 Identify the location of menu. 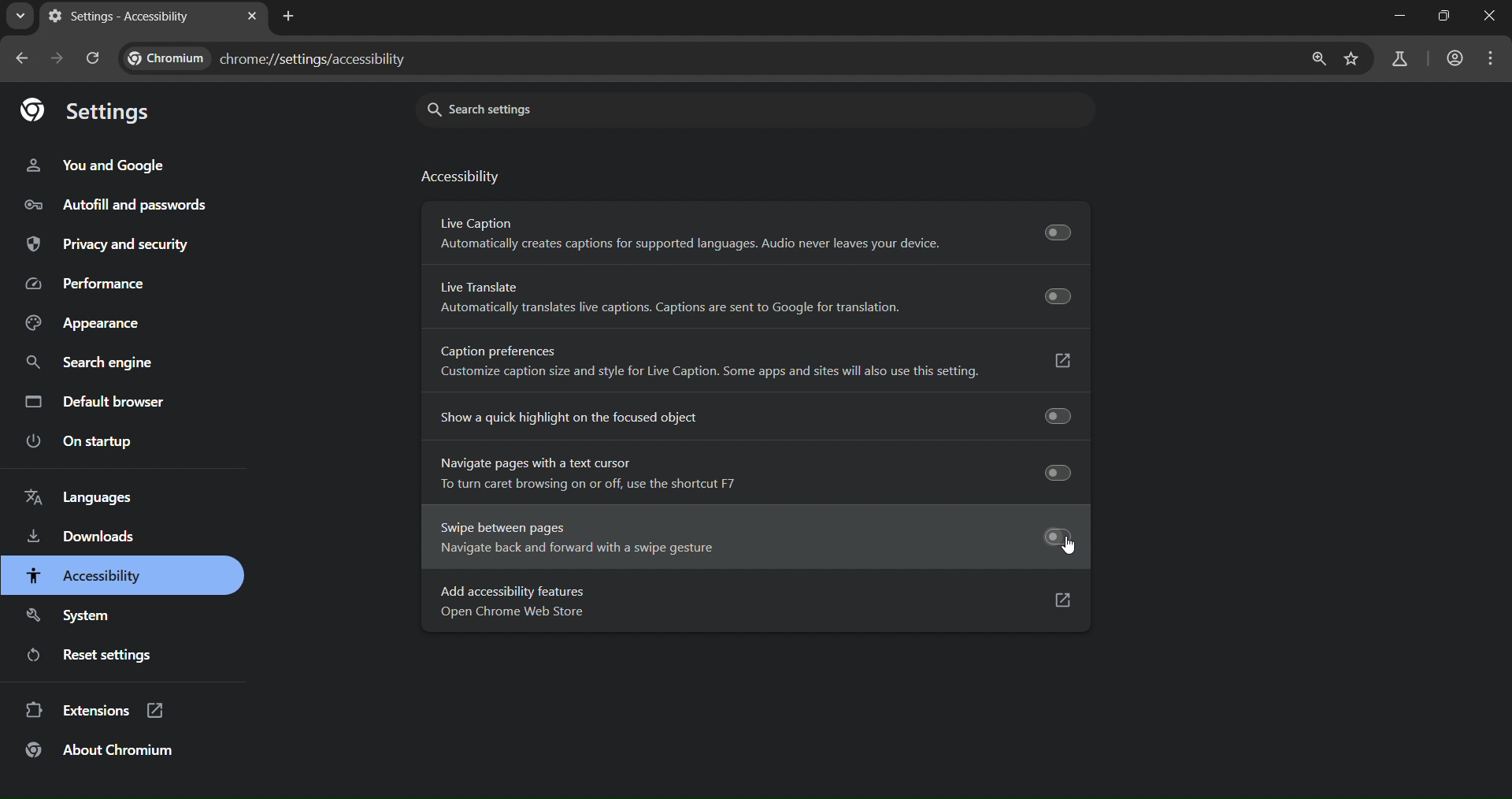
(1492, 60).